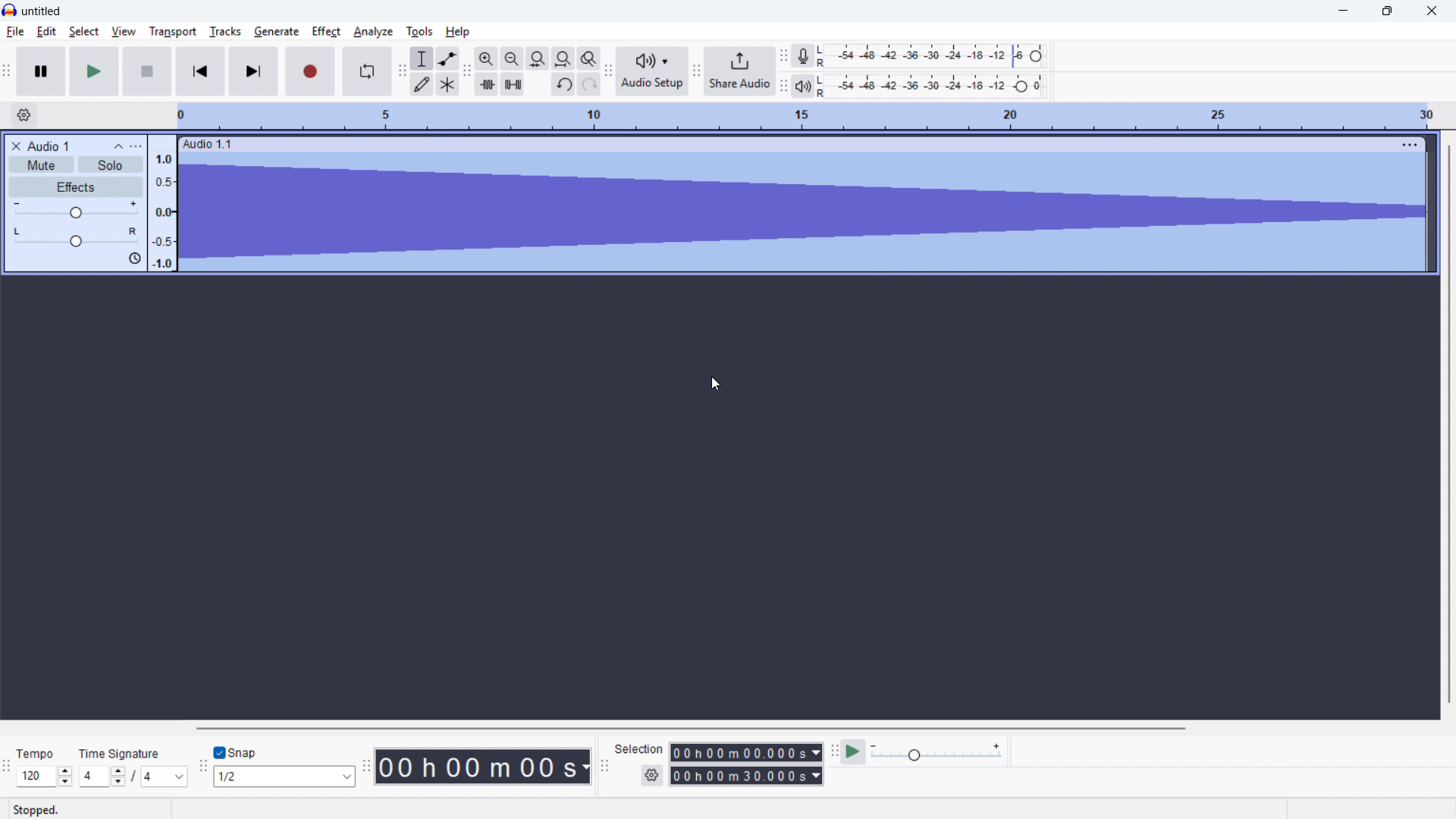 The image size is (1456, 819). Describe the element at coordinates (284, 777) in the screenshot. I see `Set snapping ` at that location.